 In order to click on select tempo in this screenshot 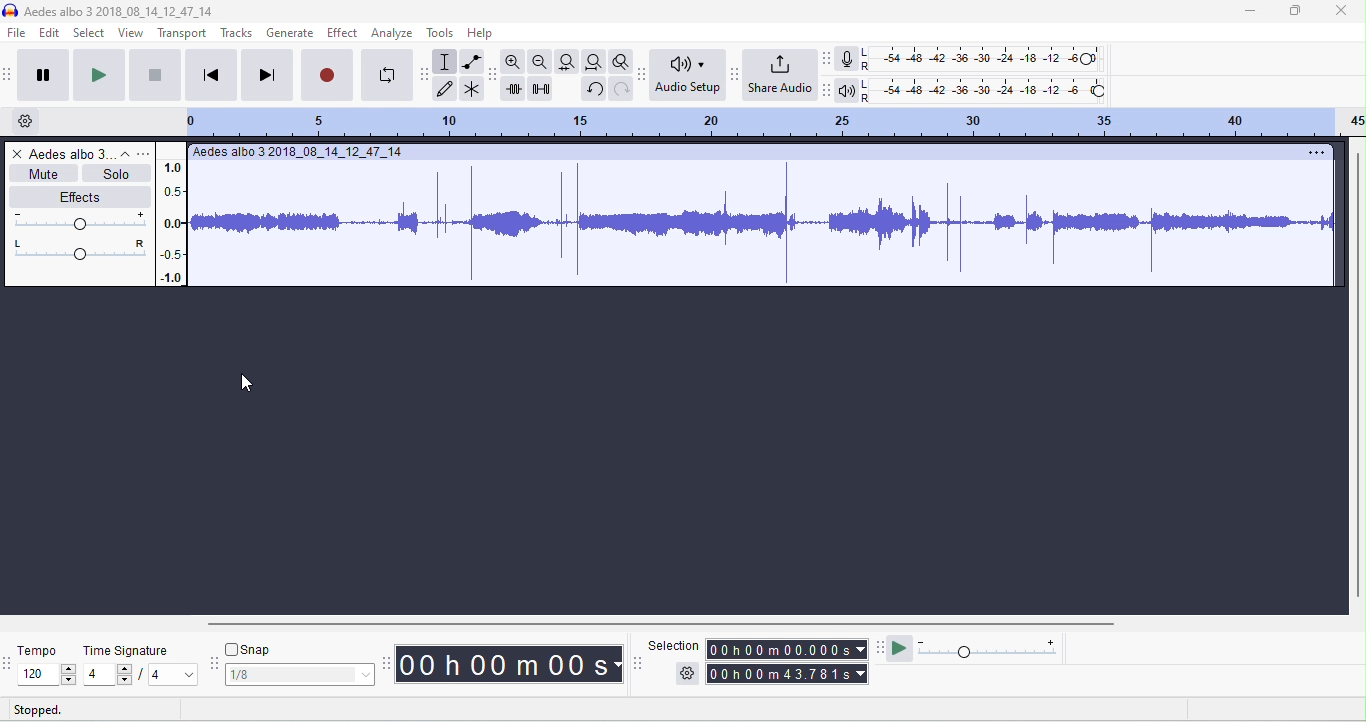, I will do `click(46, 673)`.